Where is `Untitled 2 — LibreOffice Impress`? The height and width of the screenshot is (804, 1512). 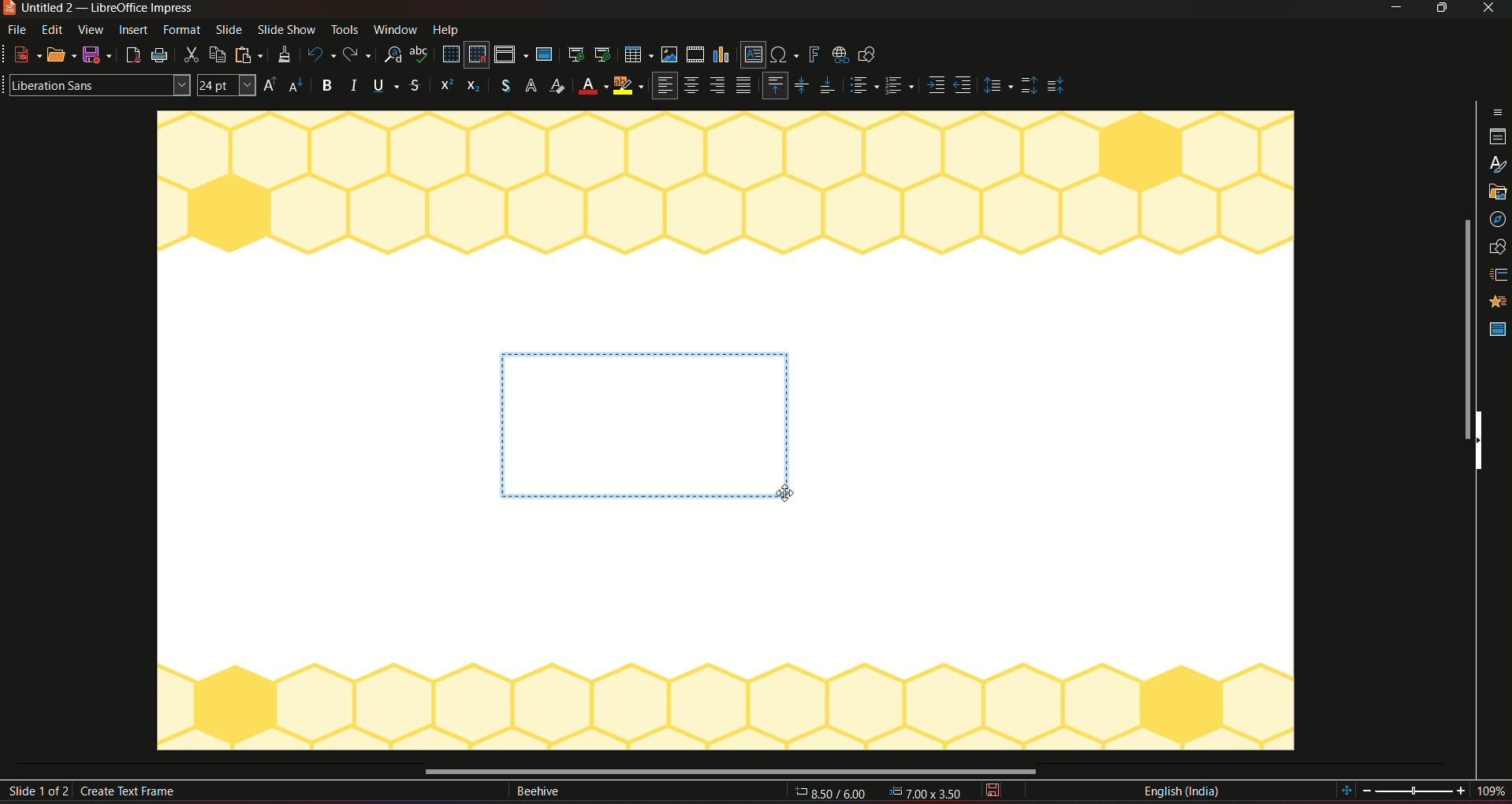
Untitled 2 — LibreOffice Impress is located at coordinates (99, 9).